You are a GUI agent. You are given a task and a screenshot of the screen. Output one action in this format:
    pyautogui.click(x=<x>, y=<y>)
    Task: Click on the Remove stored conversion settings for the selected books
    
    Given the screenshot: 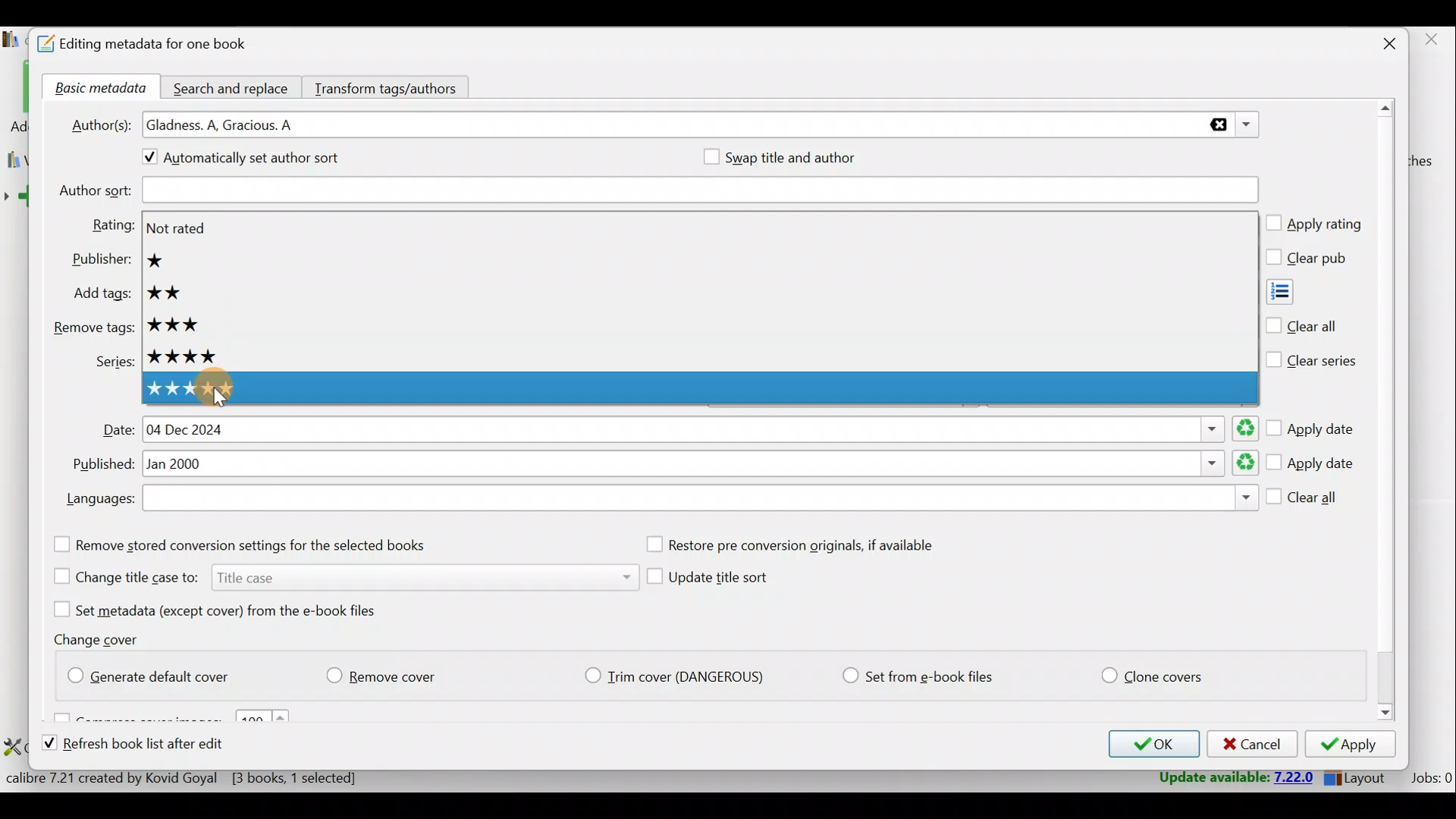 What is the action you would take?
    pyautogui.click(x=260, y=544)
    